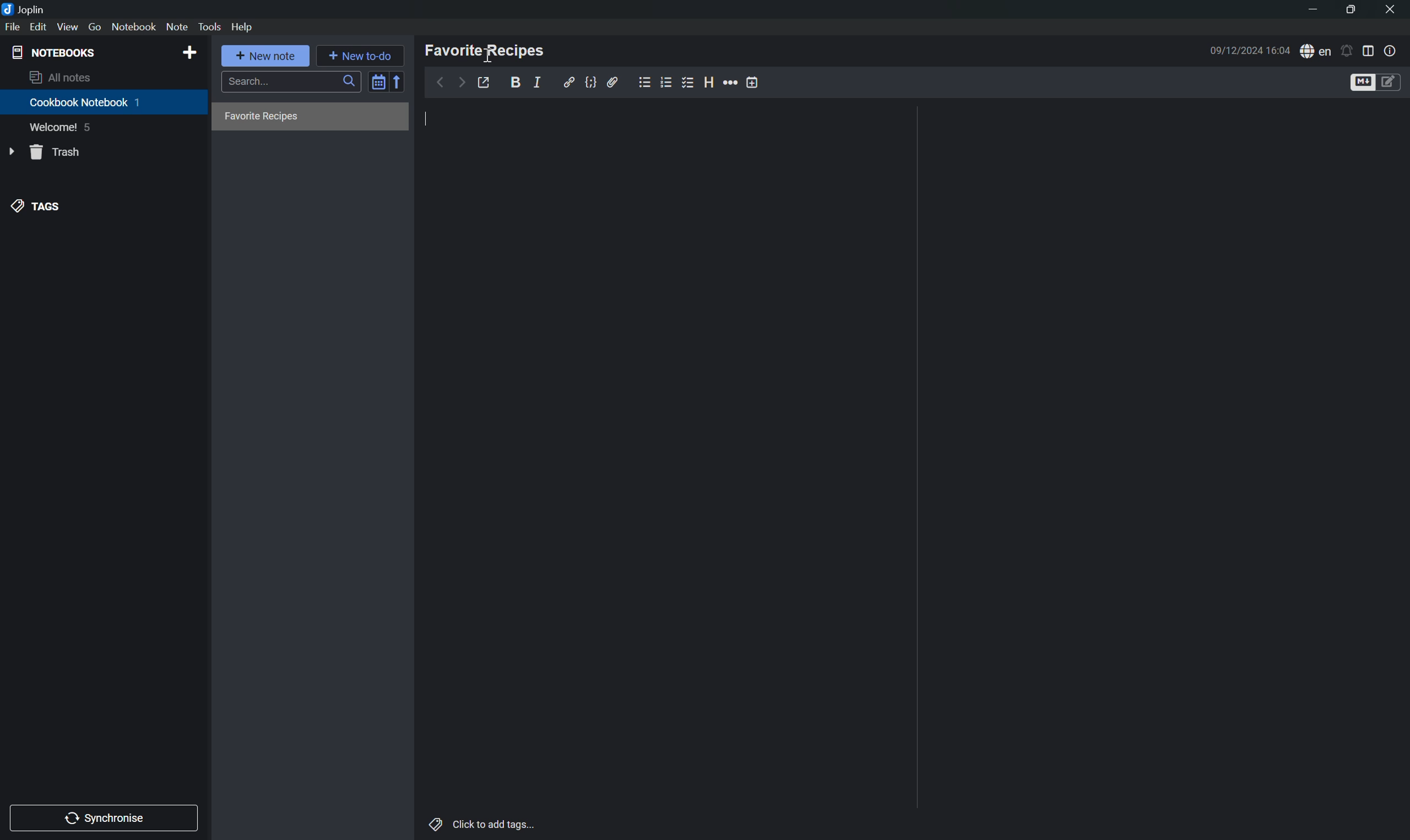  Describe the element at coordinates (614, 83) in the screenshot. I see `Attach file` at that location.